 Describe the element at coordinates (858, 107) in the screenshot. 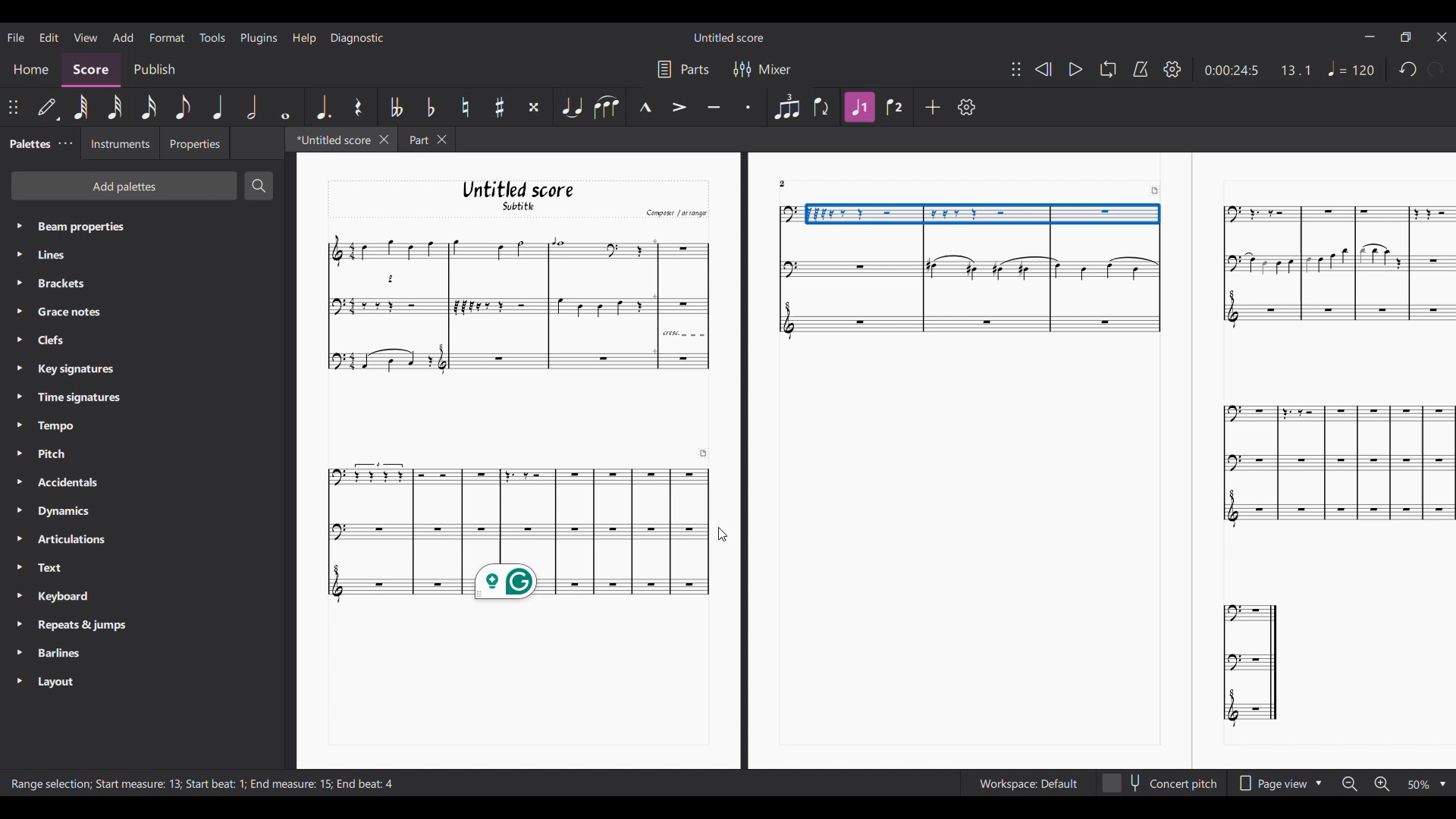

I see `Voice 1` at that location.